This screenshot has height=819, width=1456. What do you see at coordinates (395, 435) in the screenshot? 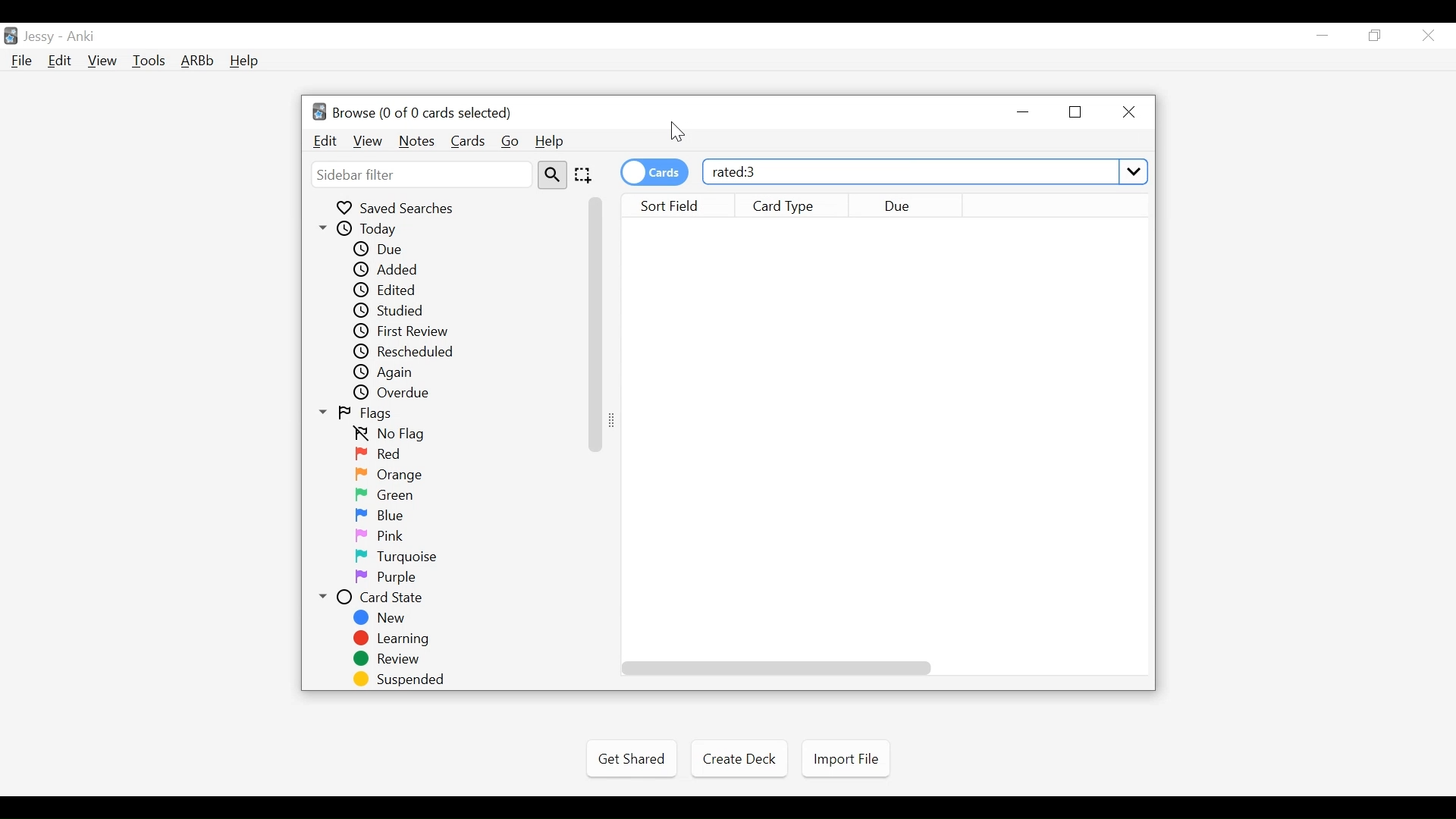
I see `No Flag` at bounding box center [395, 435].